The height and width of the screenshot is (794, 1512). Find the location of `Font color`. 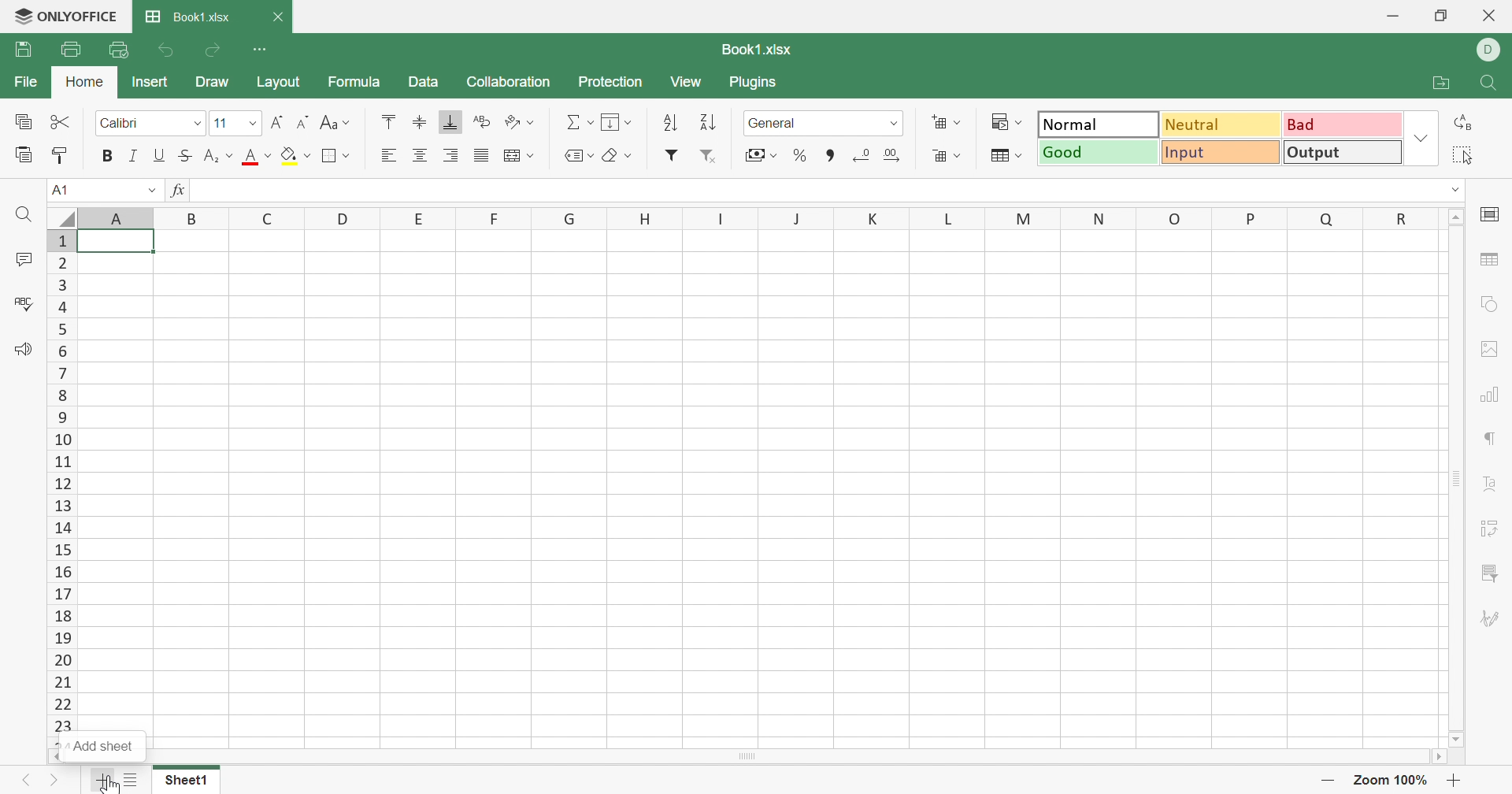

Font color is located at coordinates (249, 157).